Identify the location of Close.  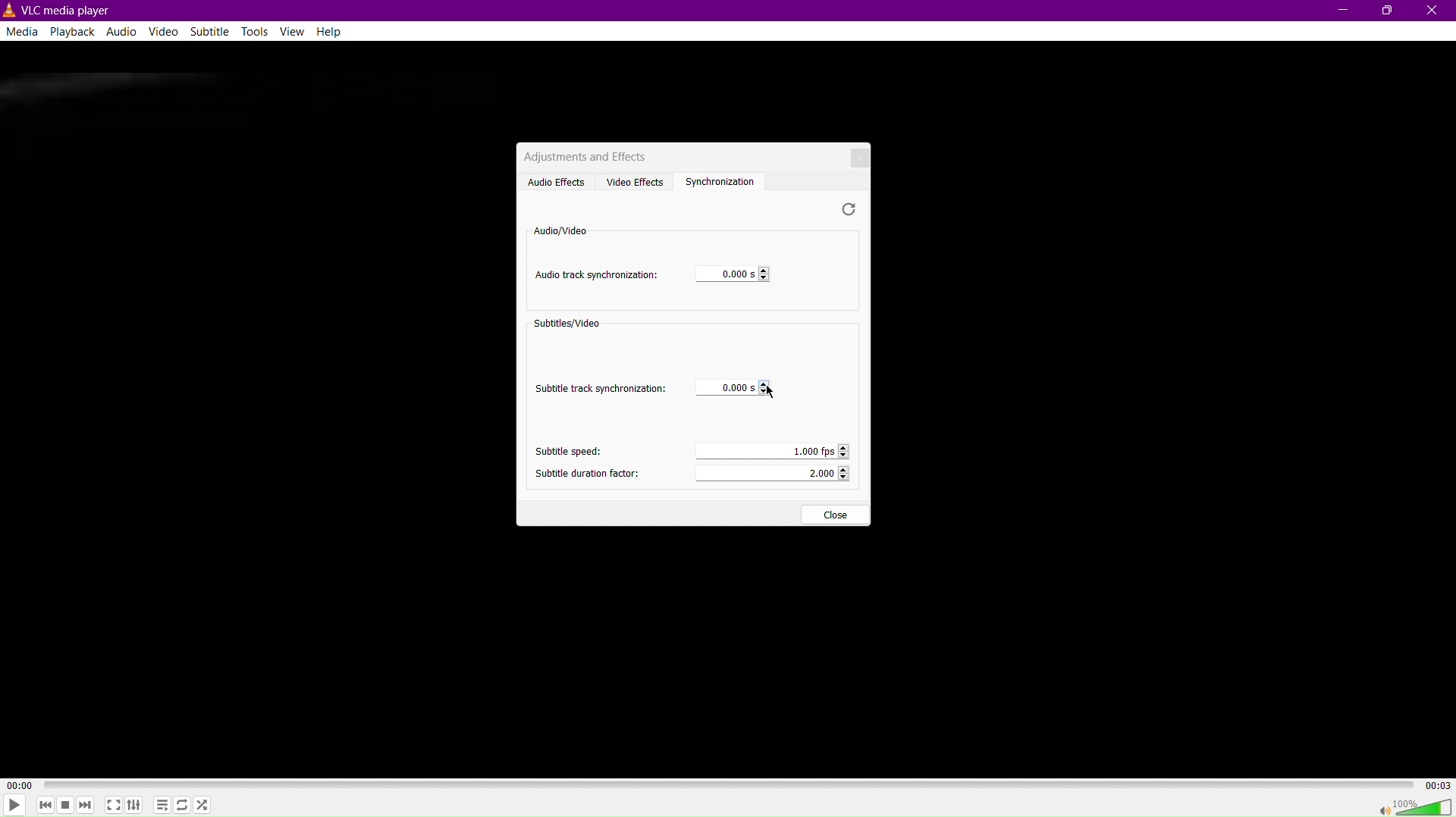
(834, 515).